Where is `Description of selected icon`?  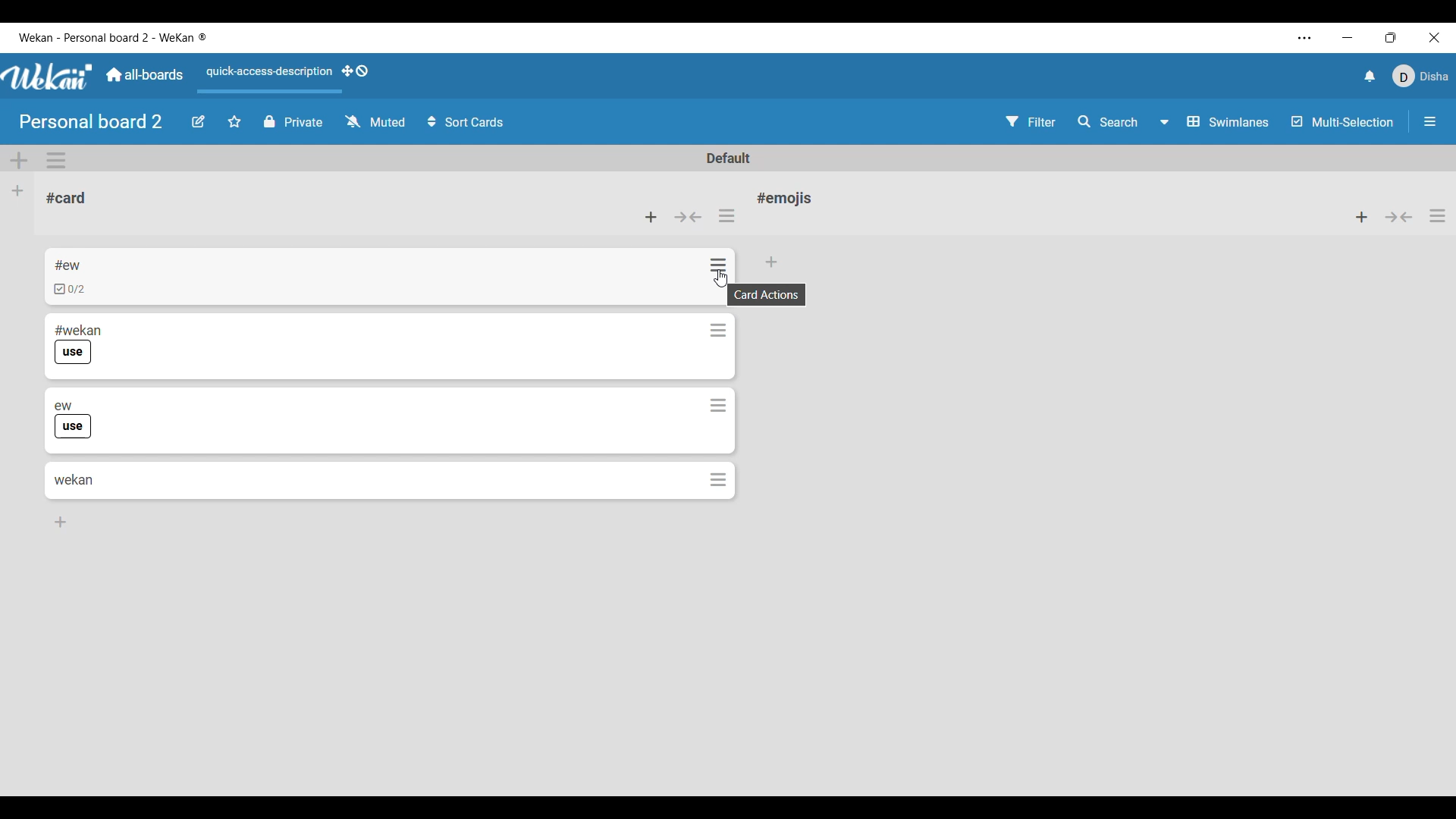
Description of selected icon is located at coordinates (770, 295).